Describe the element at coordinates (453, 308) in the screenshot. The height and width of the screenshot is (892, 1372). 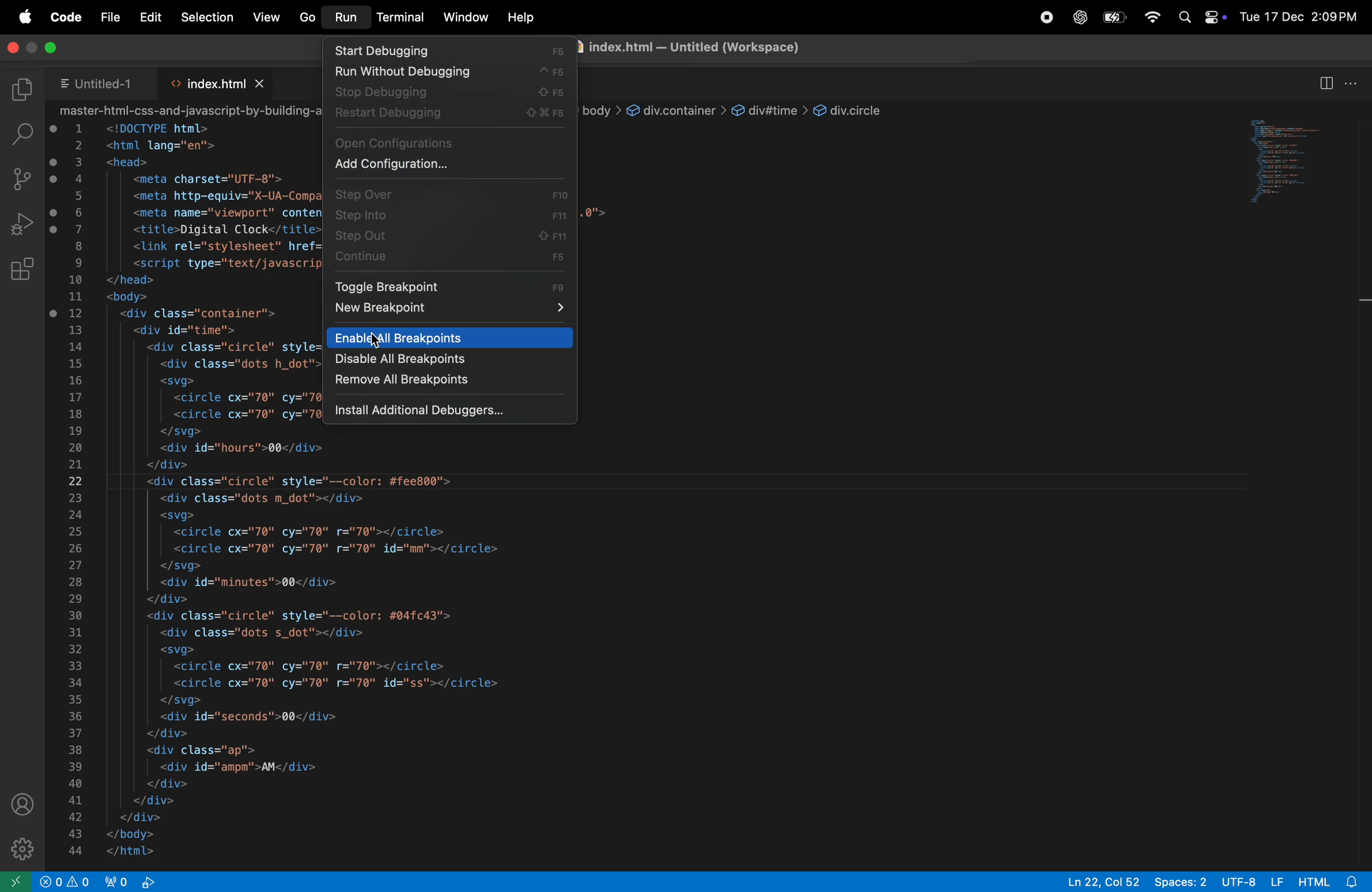
I see `new break \point` at that location.